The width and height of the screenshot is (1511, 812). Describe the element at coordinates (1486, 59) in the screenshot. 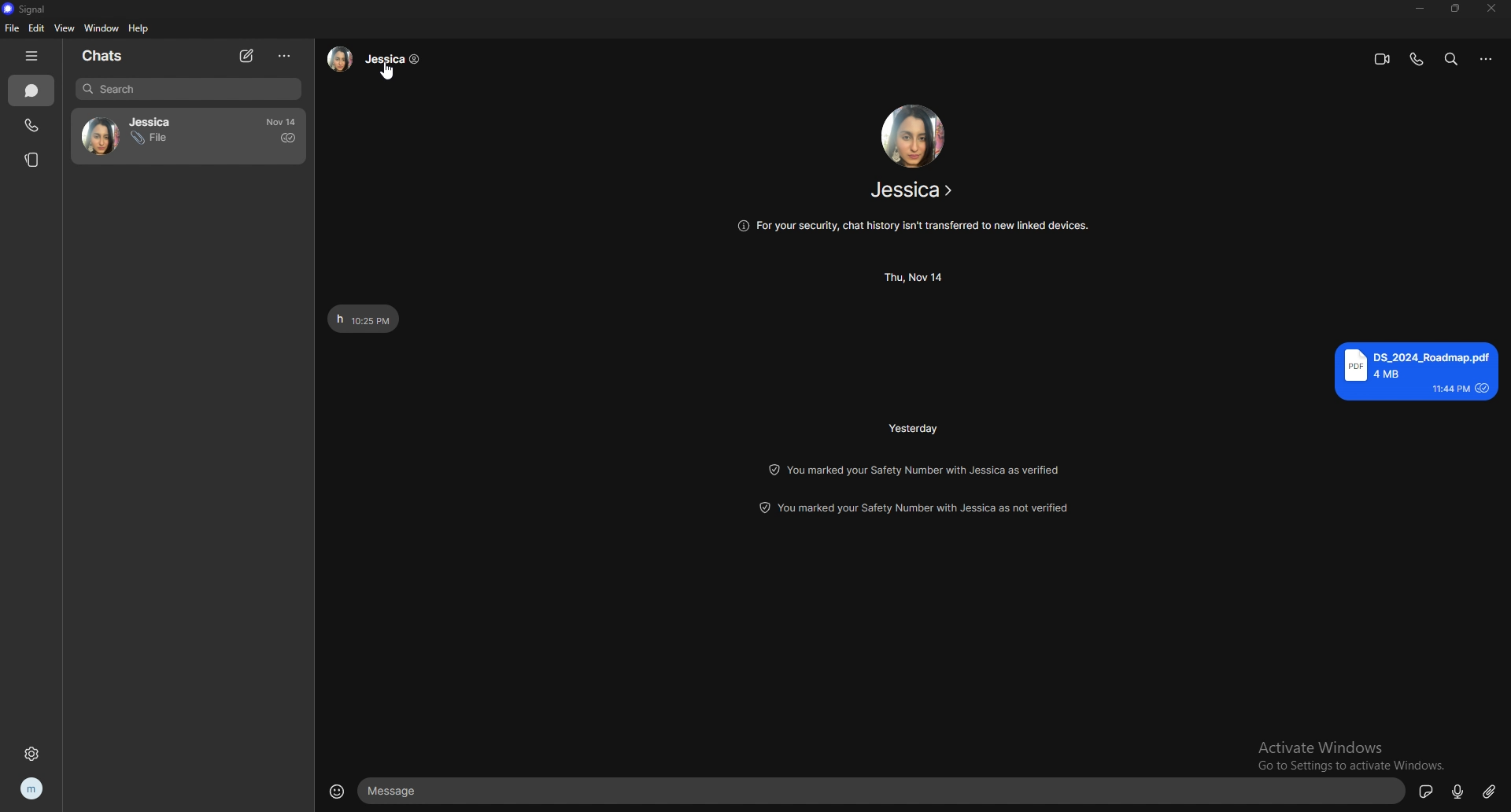

I see `info` at that location.